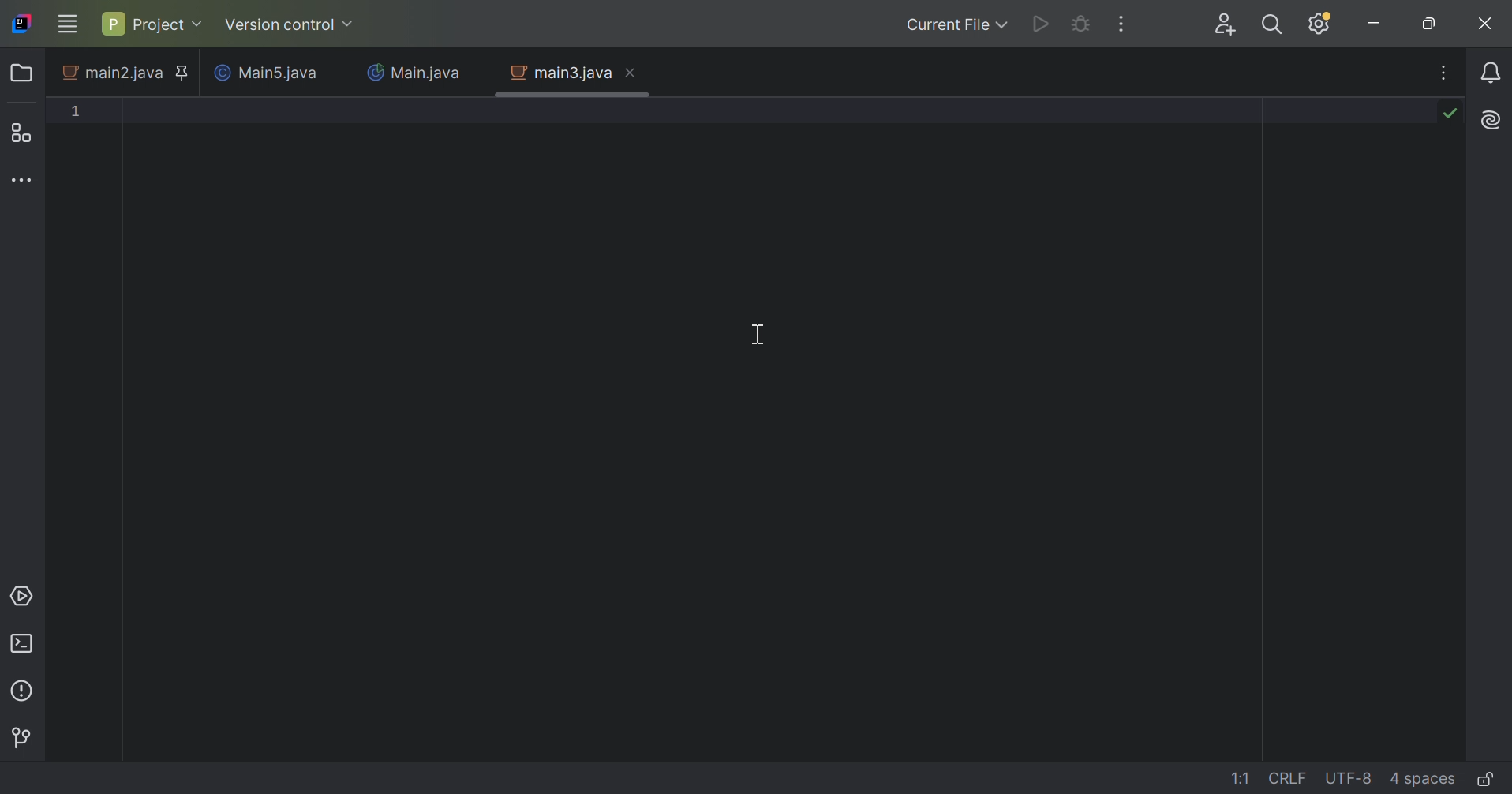 The height and width of the screenshot is (794, 1512). What do you see at coordinates (1273, 24) in the screenshot?
I see `Search everywhere` at bounding box center [1273, 24].